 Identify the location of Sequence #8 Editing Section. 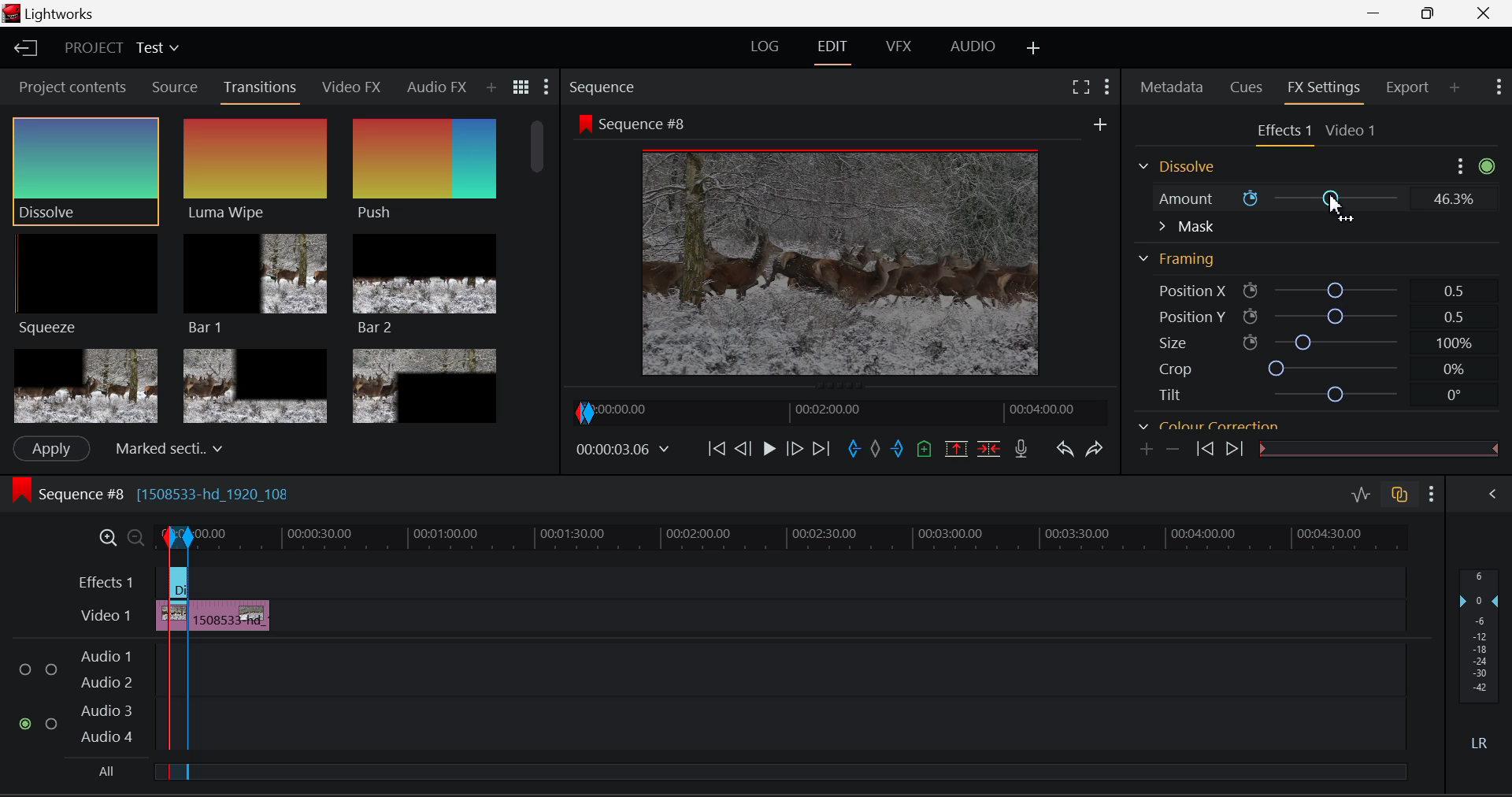
(198, 496).